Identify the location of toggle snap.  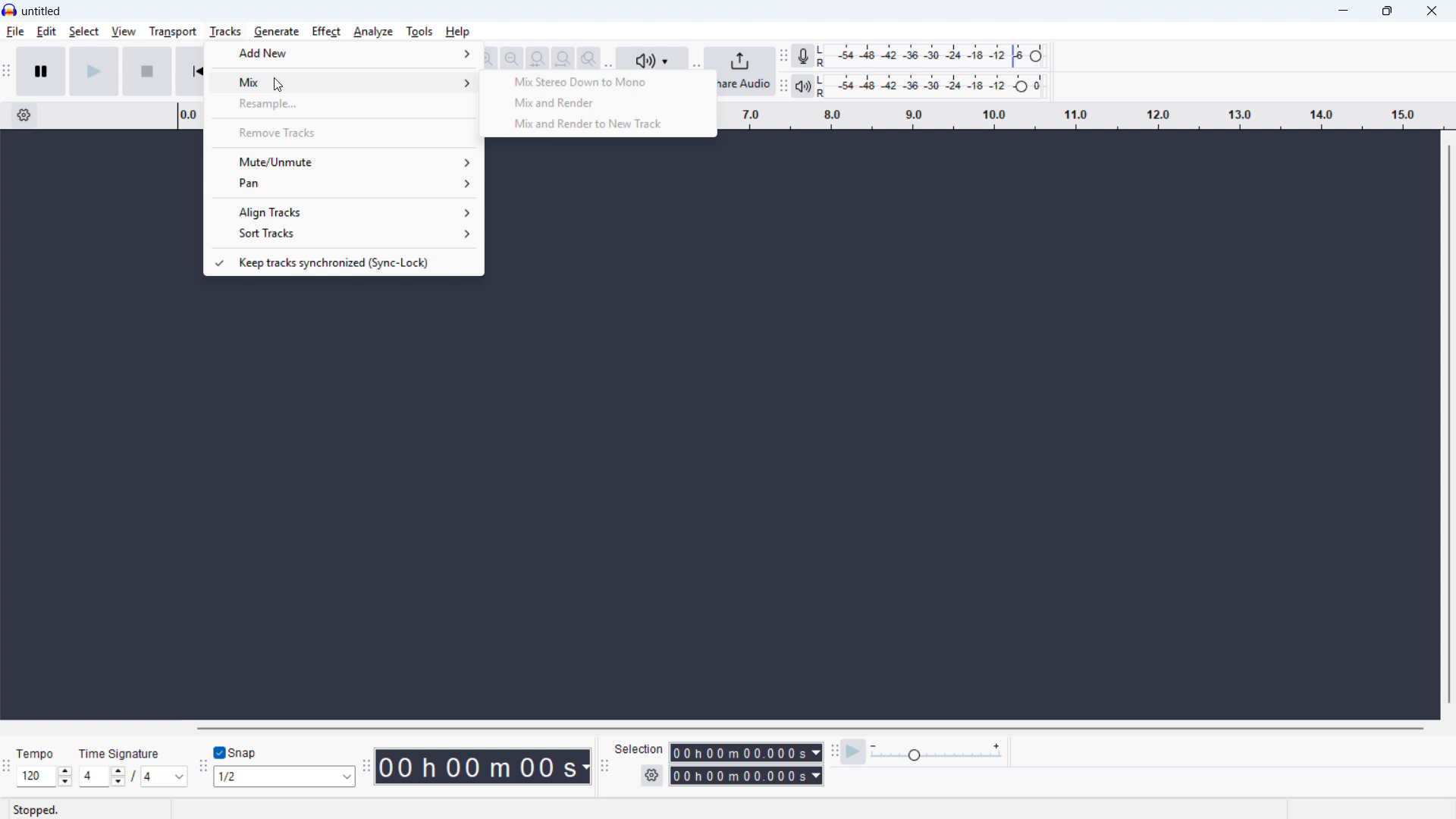
(238, 752).